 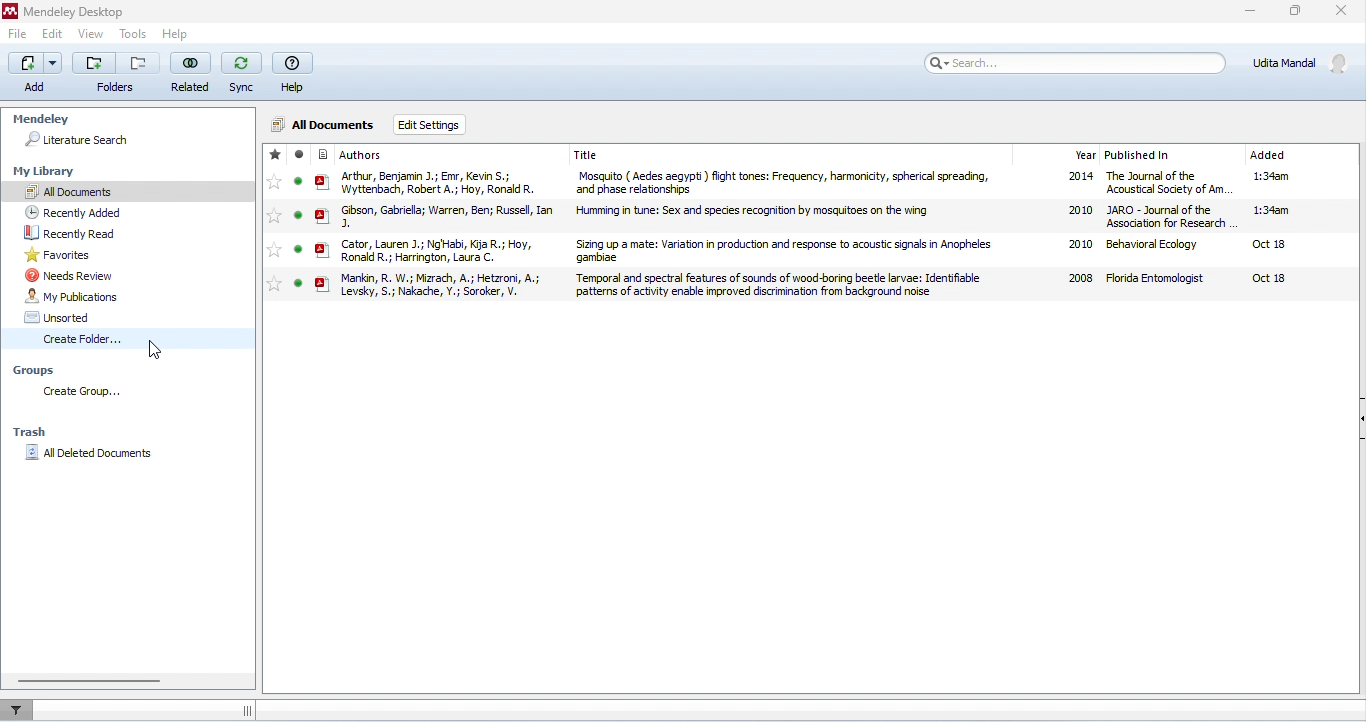 What do you see at coordinates (136, 192) in the screenshot?
I see `all documents` at bounding box center [136, 192].